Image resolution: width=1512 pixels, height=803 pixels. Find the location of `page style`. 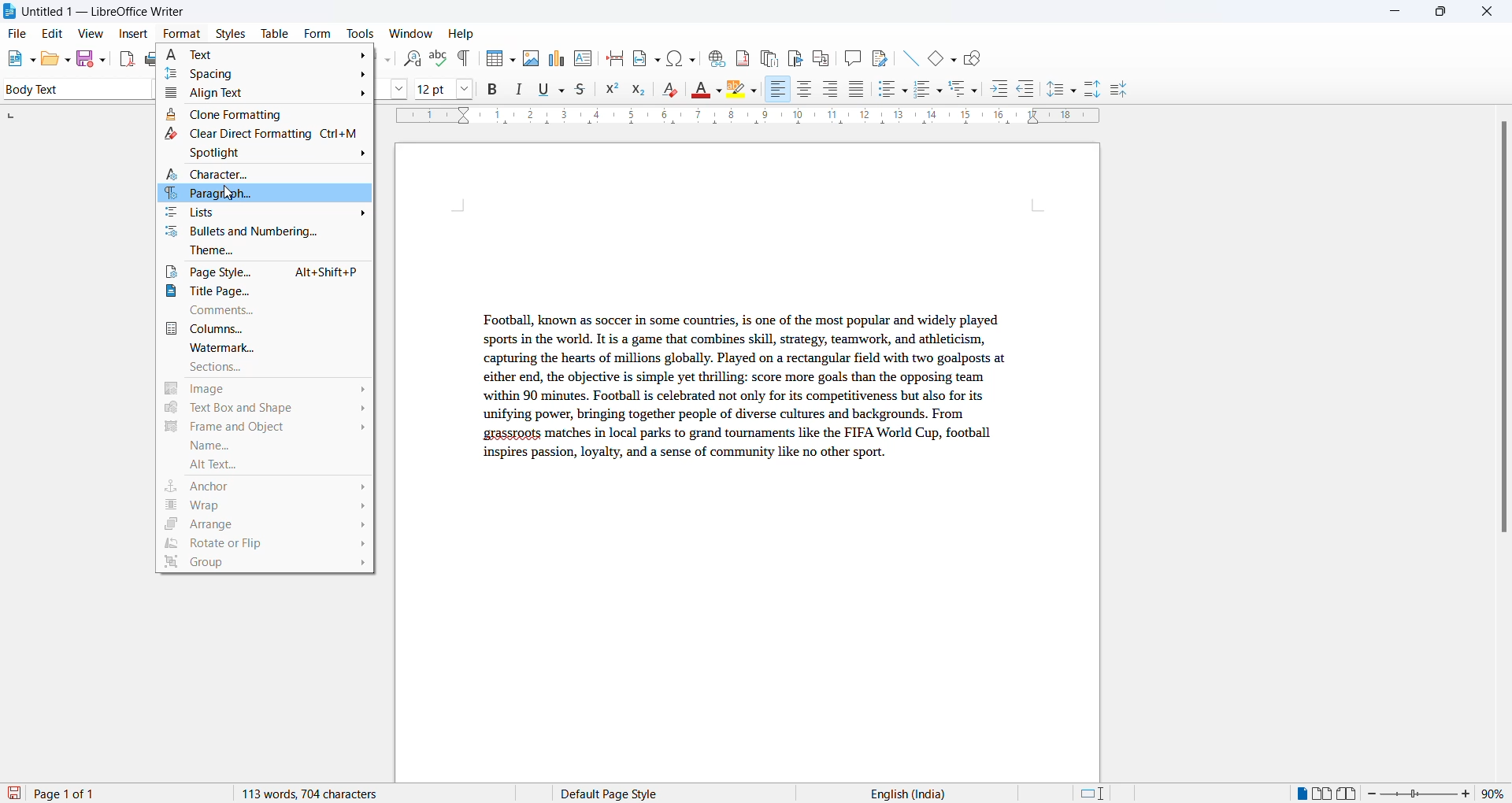

page style is located at coordinates (267, 274).